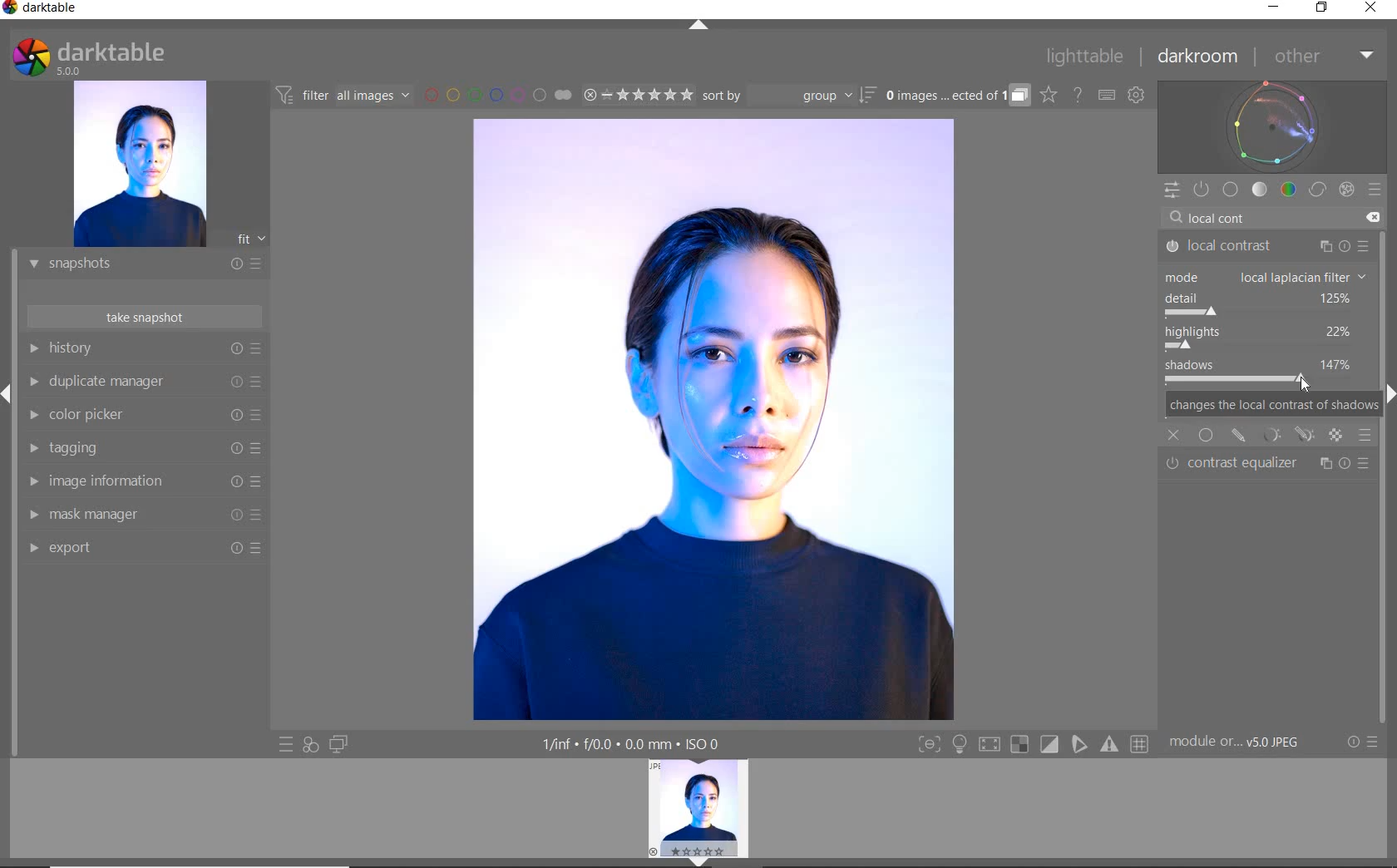 The image size is (1397, 868). I want to click on MASK OPTION, so click(1307, 436).